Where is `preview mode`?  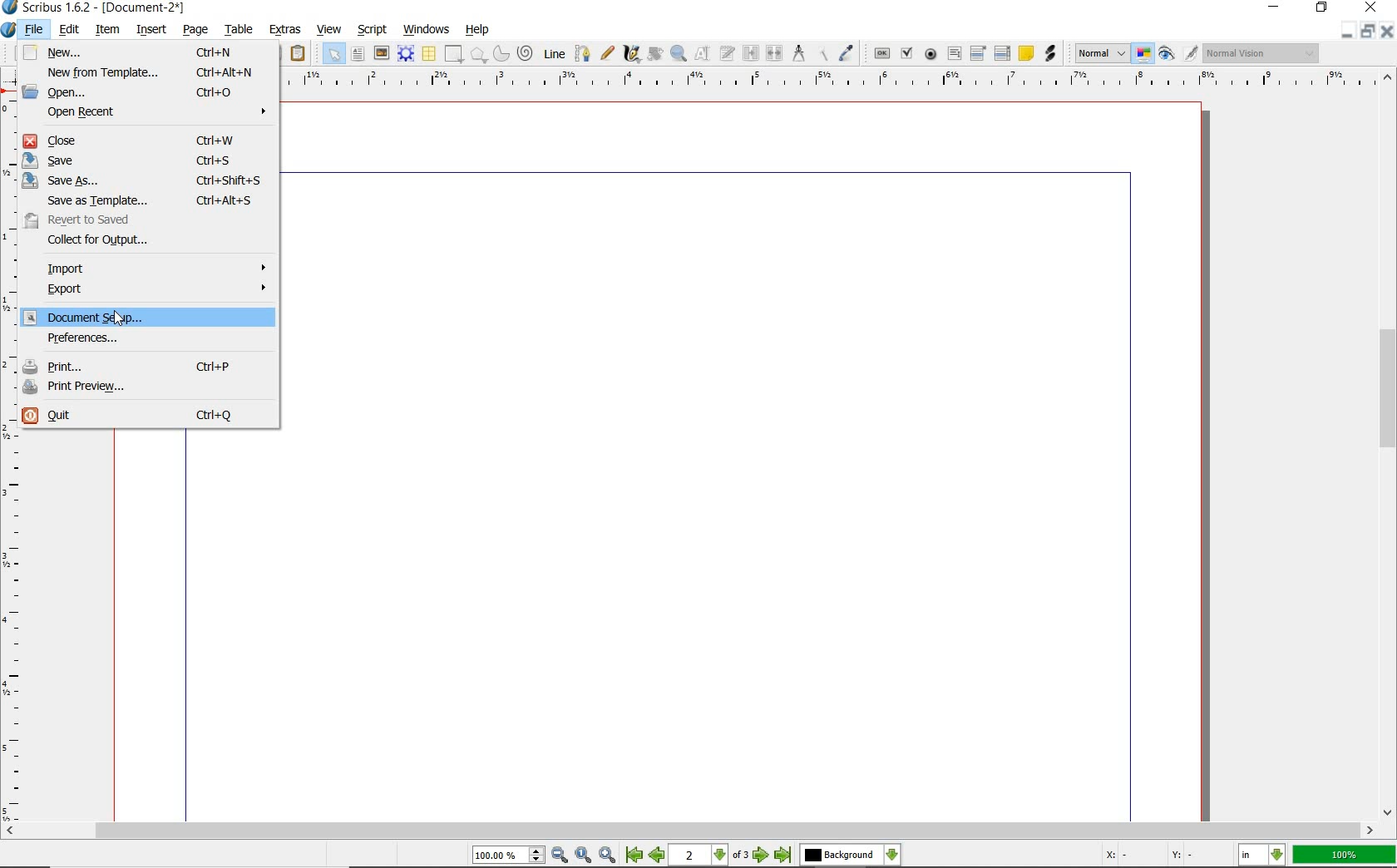 preview mode is located at coordinates (1167, 55).